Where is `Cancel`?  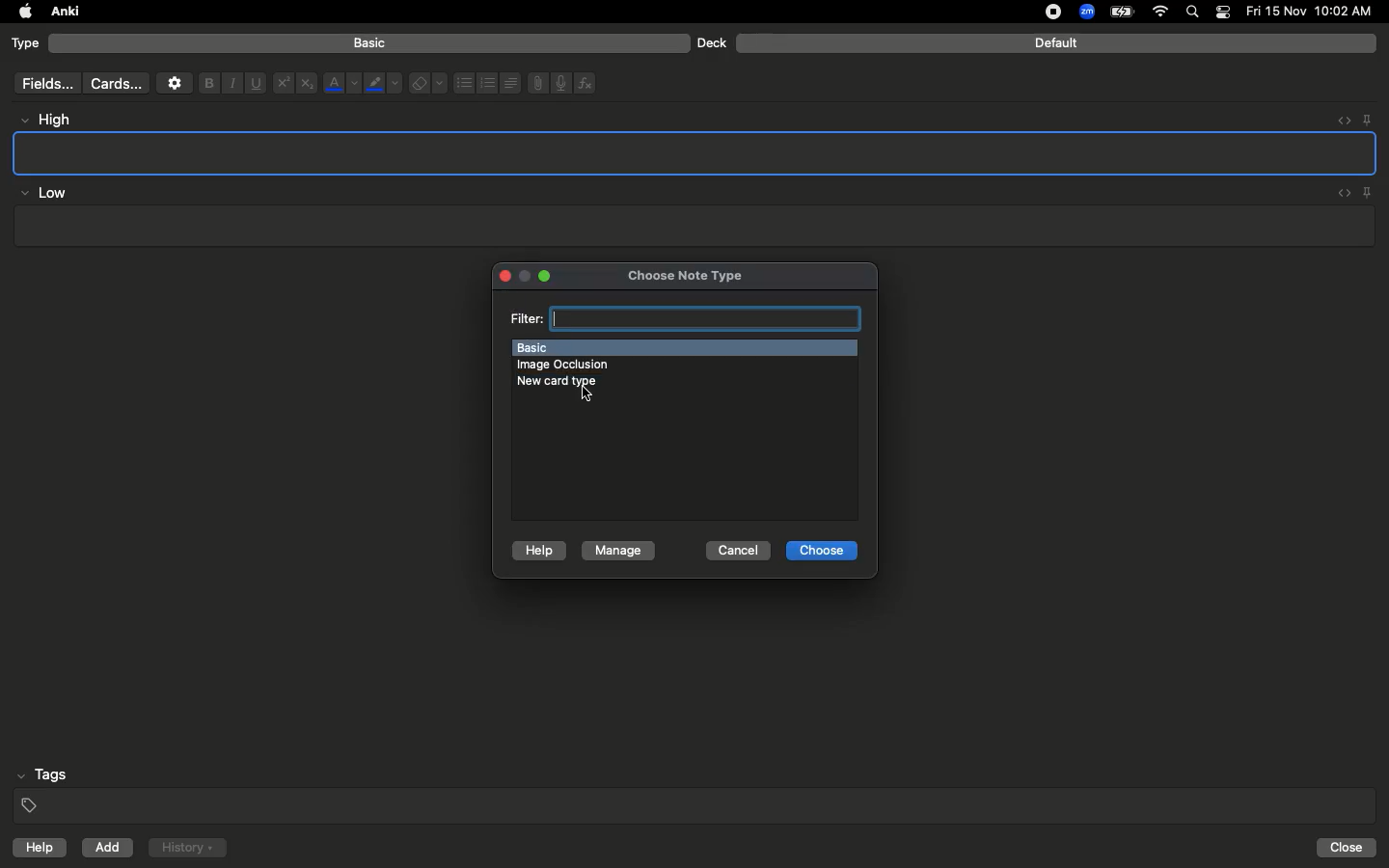
Cancel is located at coordinates (738, 551).